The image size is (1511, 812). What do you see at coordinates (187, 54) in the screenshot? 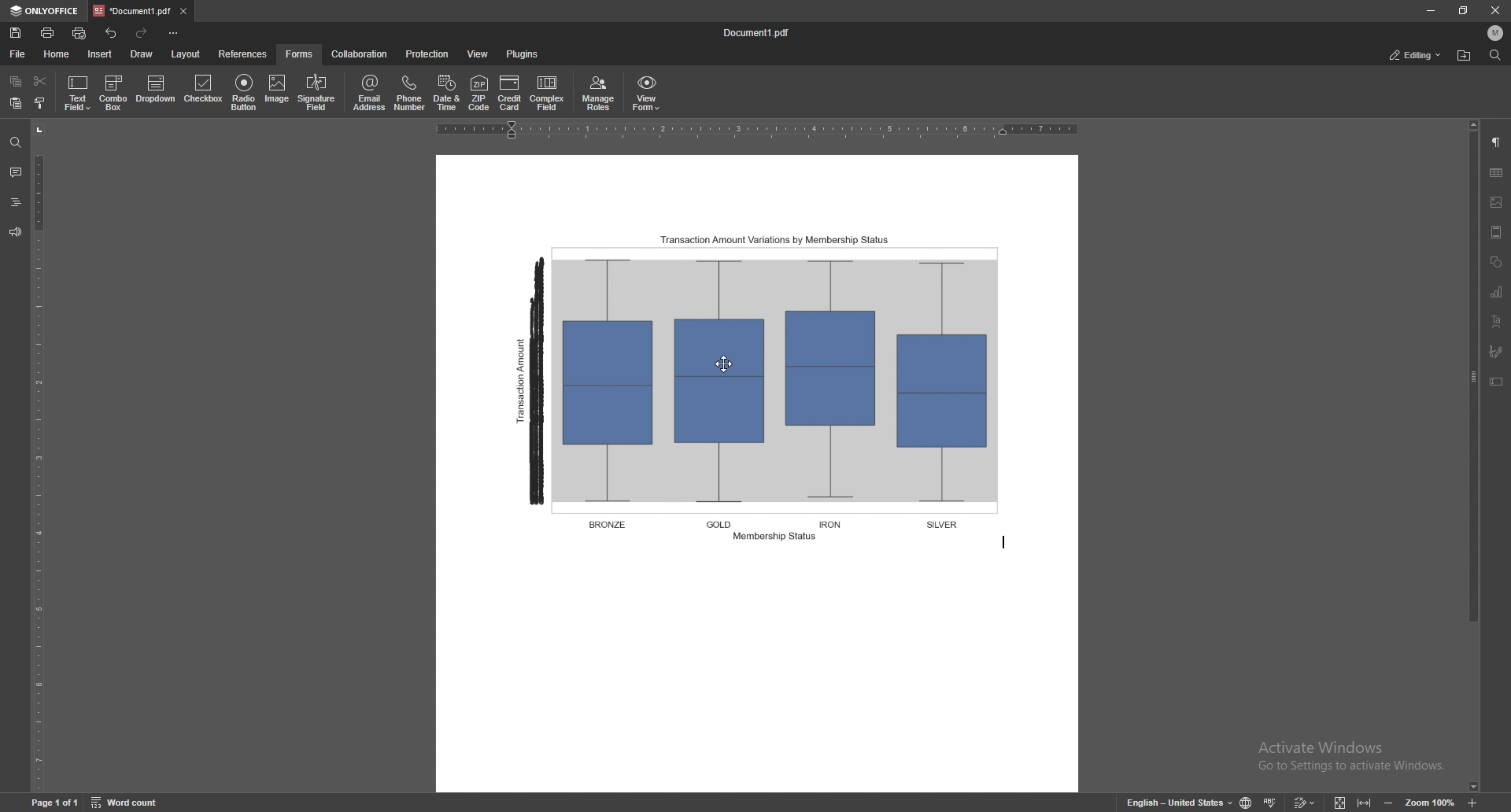
I see `layout` at bounding box center [187, 54].